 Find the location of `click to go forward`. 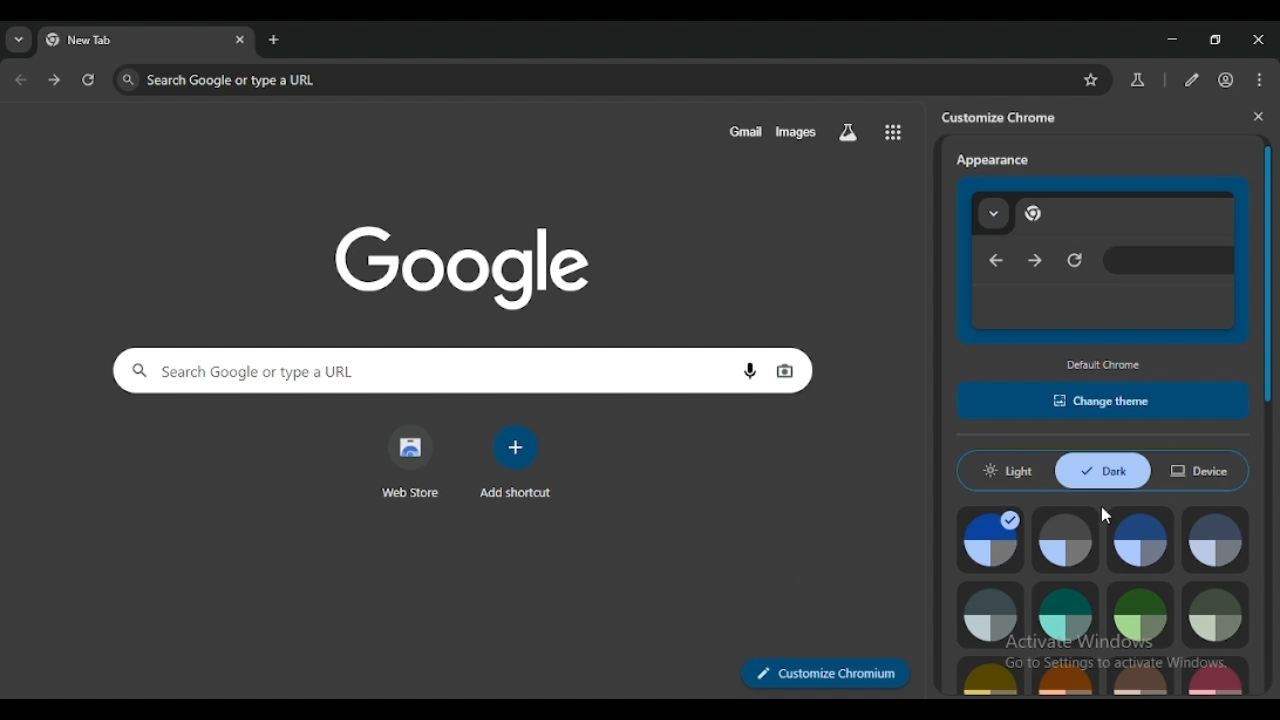

click to go forward is located at coordinates (54, 80).